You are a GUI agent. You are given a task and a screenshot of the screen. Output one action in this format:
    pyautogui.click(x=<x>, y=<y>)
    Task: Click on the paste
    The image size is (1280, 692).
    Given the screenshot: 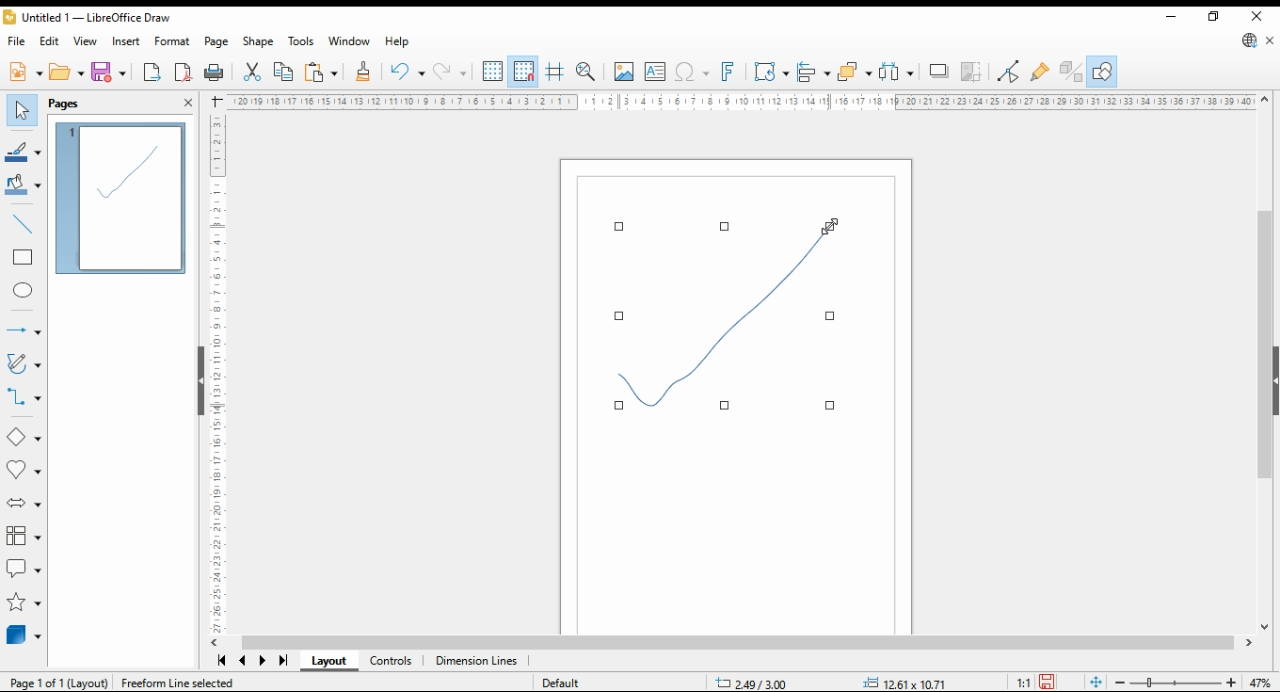 What is the action you would take?
    pyautogui.click(x=323, y=71)
    